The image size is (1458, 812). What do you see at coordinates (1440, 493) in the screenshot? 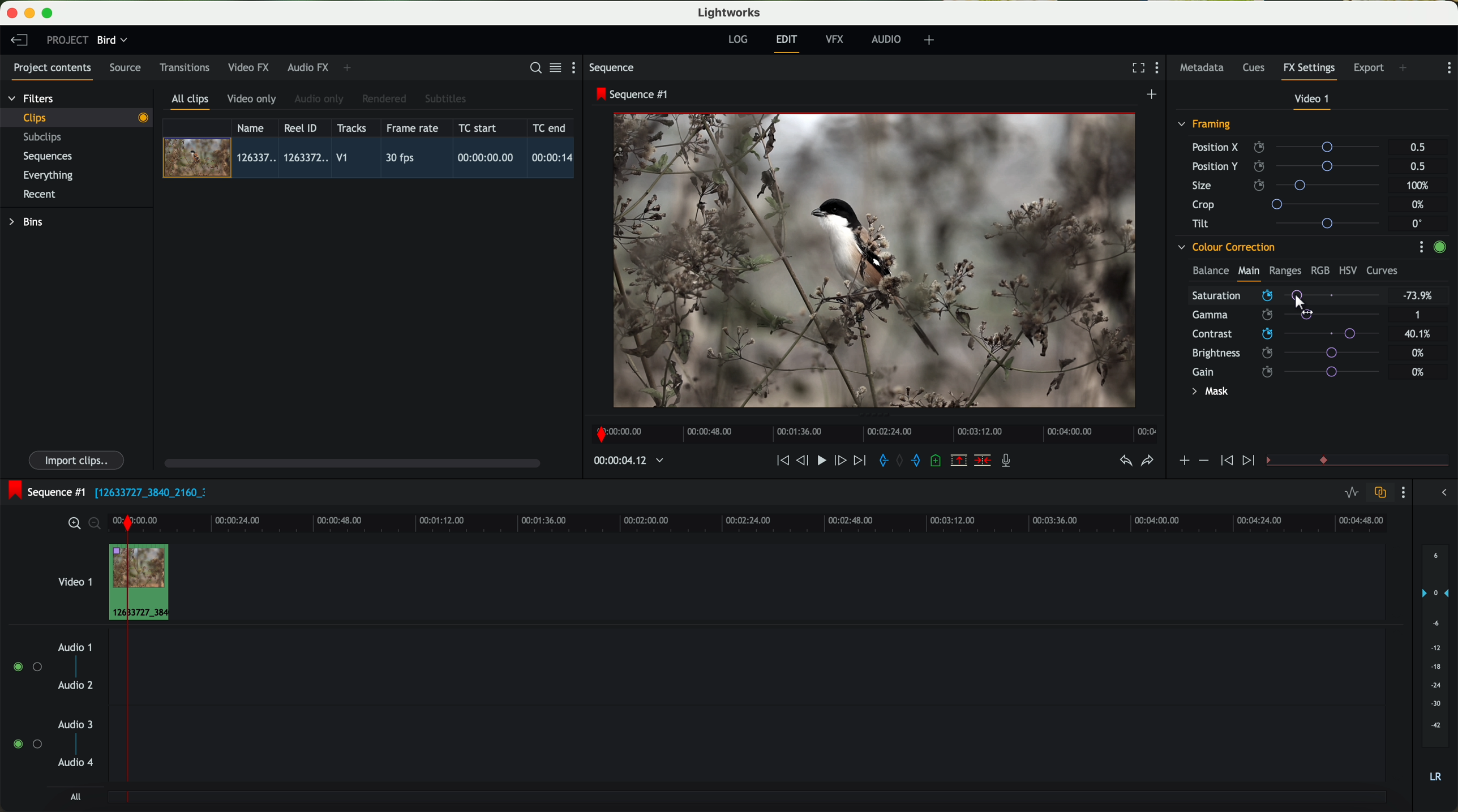
I see `show/hide the full audio mix` at bounding box center [1440, 493].